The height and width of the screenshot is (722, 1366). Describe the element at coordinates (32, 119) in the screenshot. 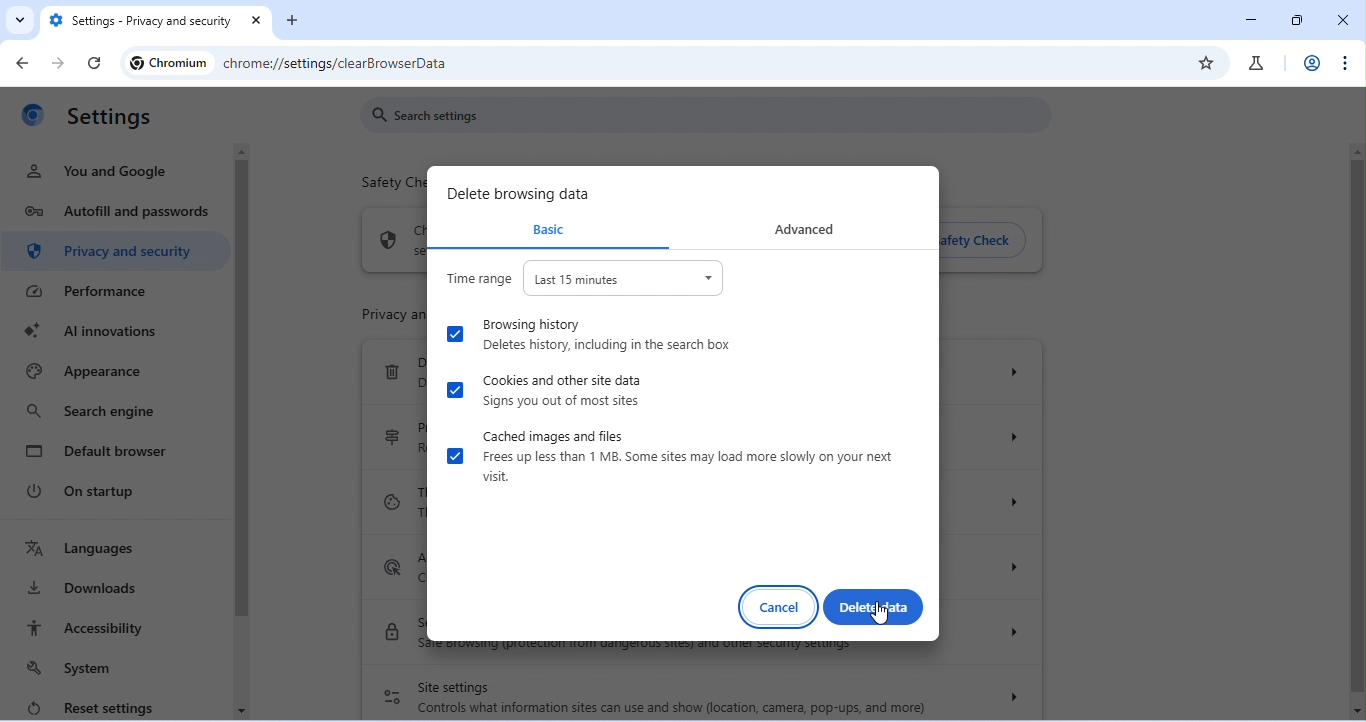

I see `chromium logo` at that location.